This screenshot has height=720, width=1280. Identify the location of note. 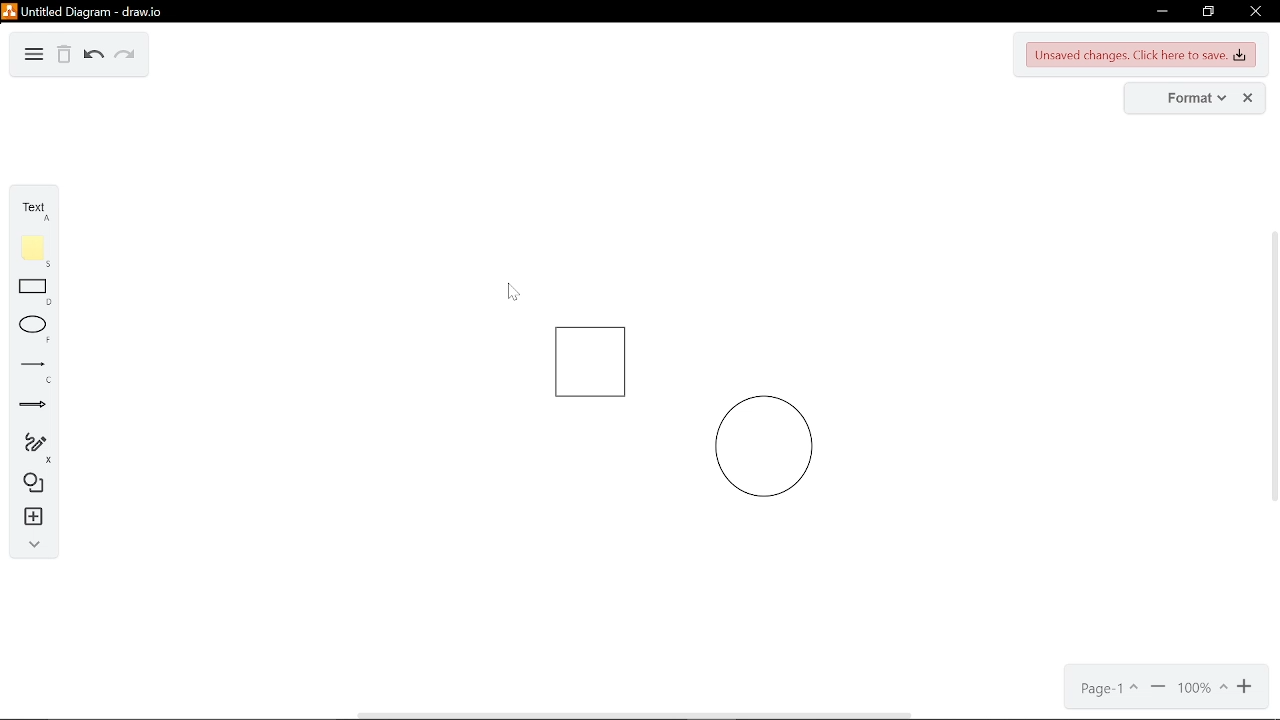
(31, 252).